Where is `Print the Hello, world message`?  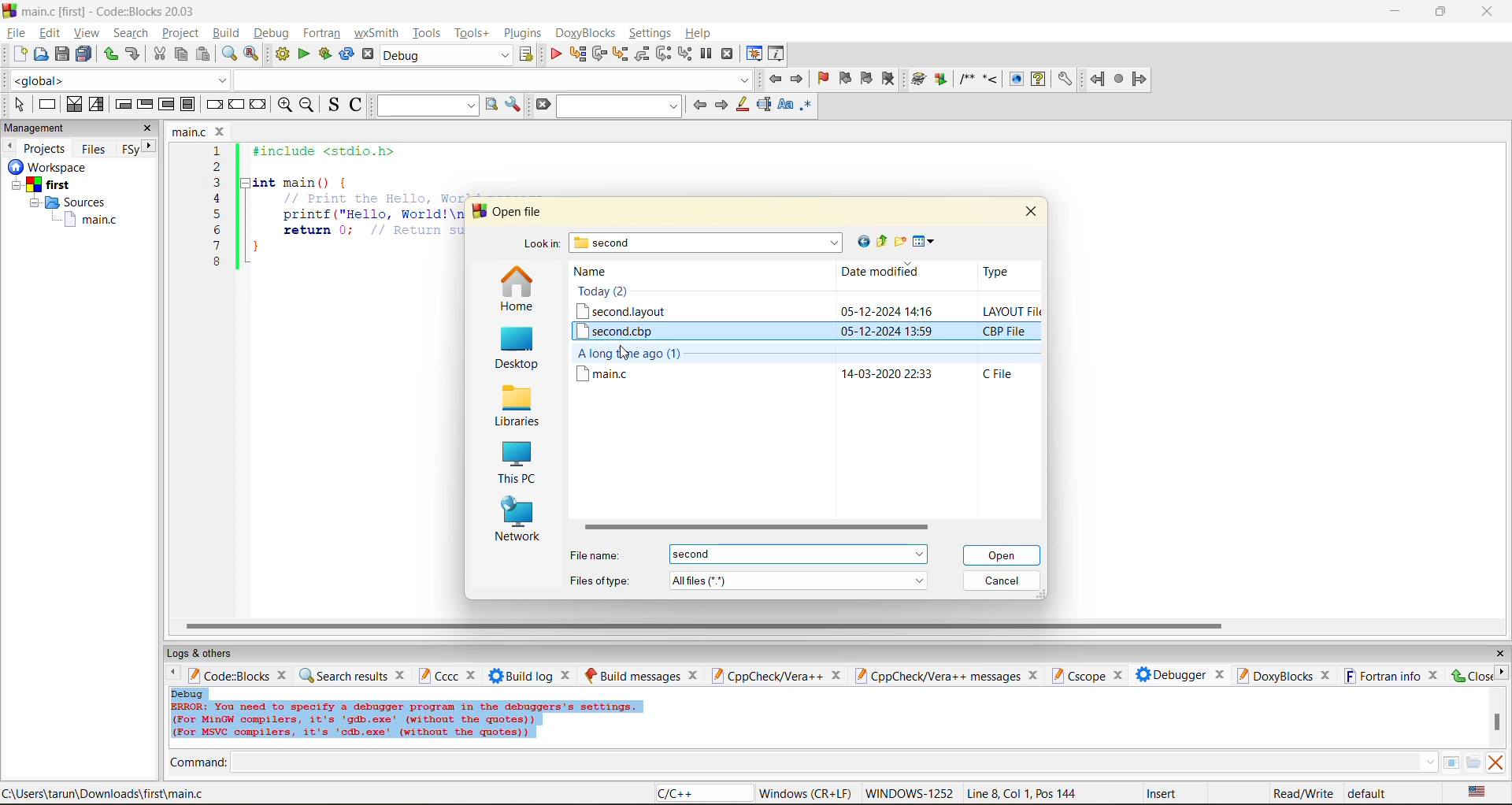 Print the Hello, world message is located at coordinates (373, 198).